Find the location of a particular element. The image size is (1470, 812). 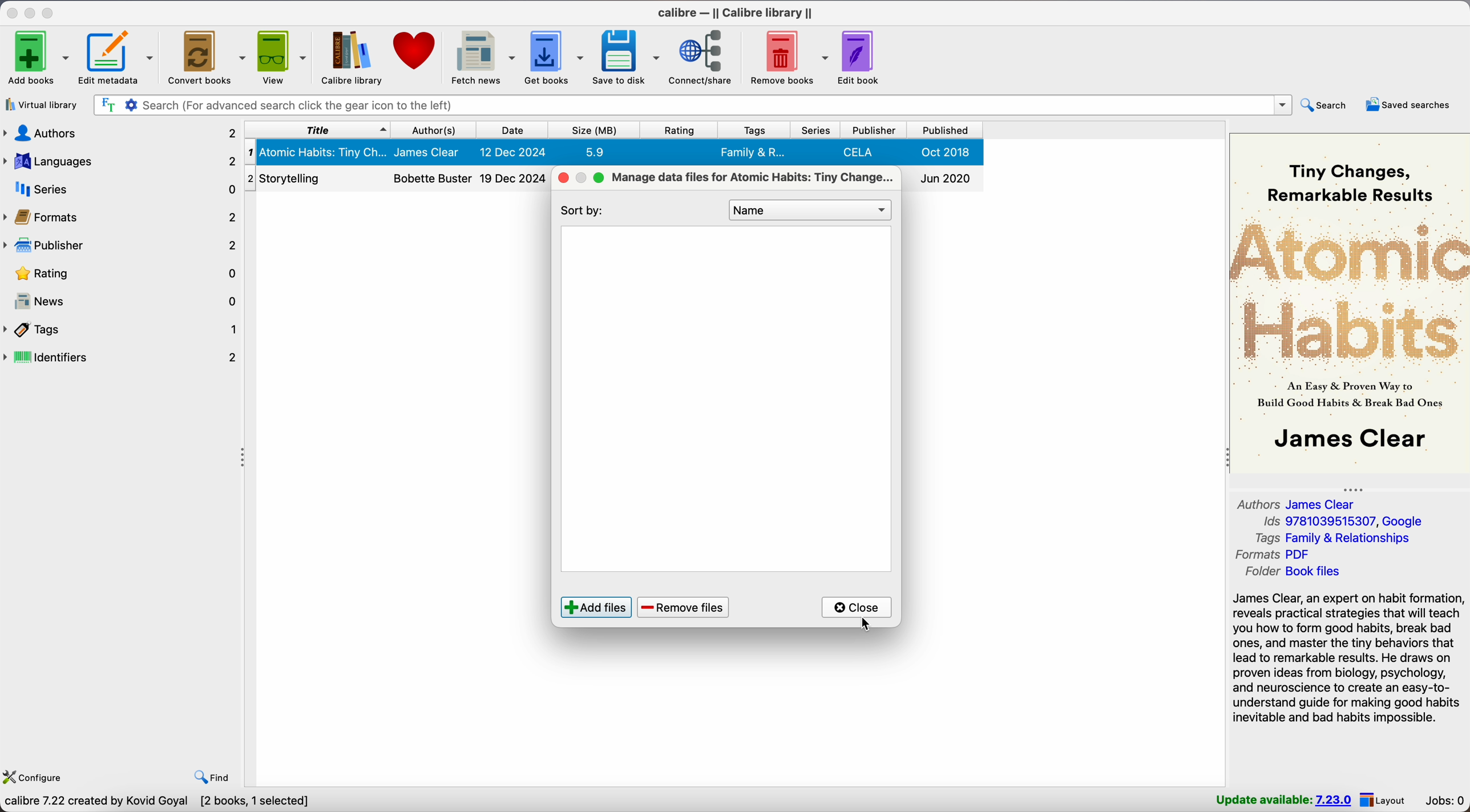

Calibre library is located at coordinates (351, 57).